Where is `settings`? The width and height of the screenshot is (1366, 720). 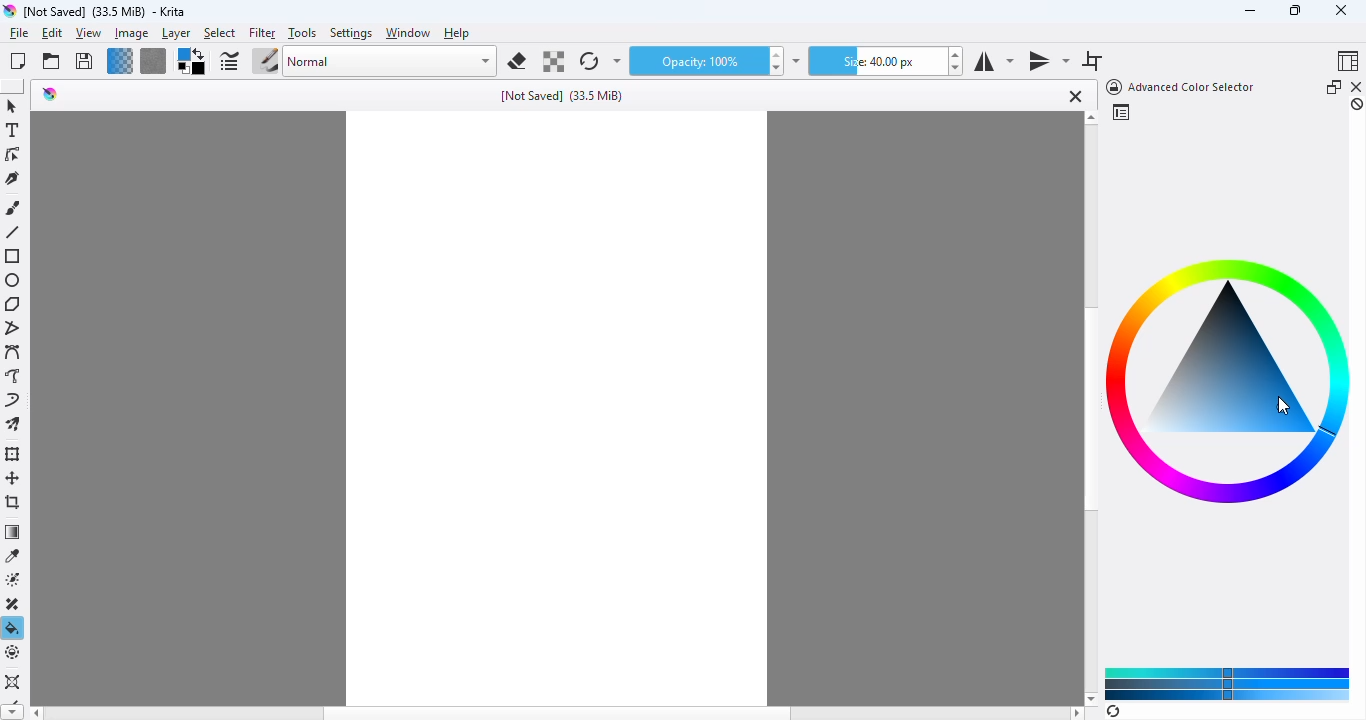 settings is located at coordinates (352, 34).